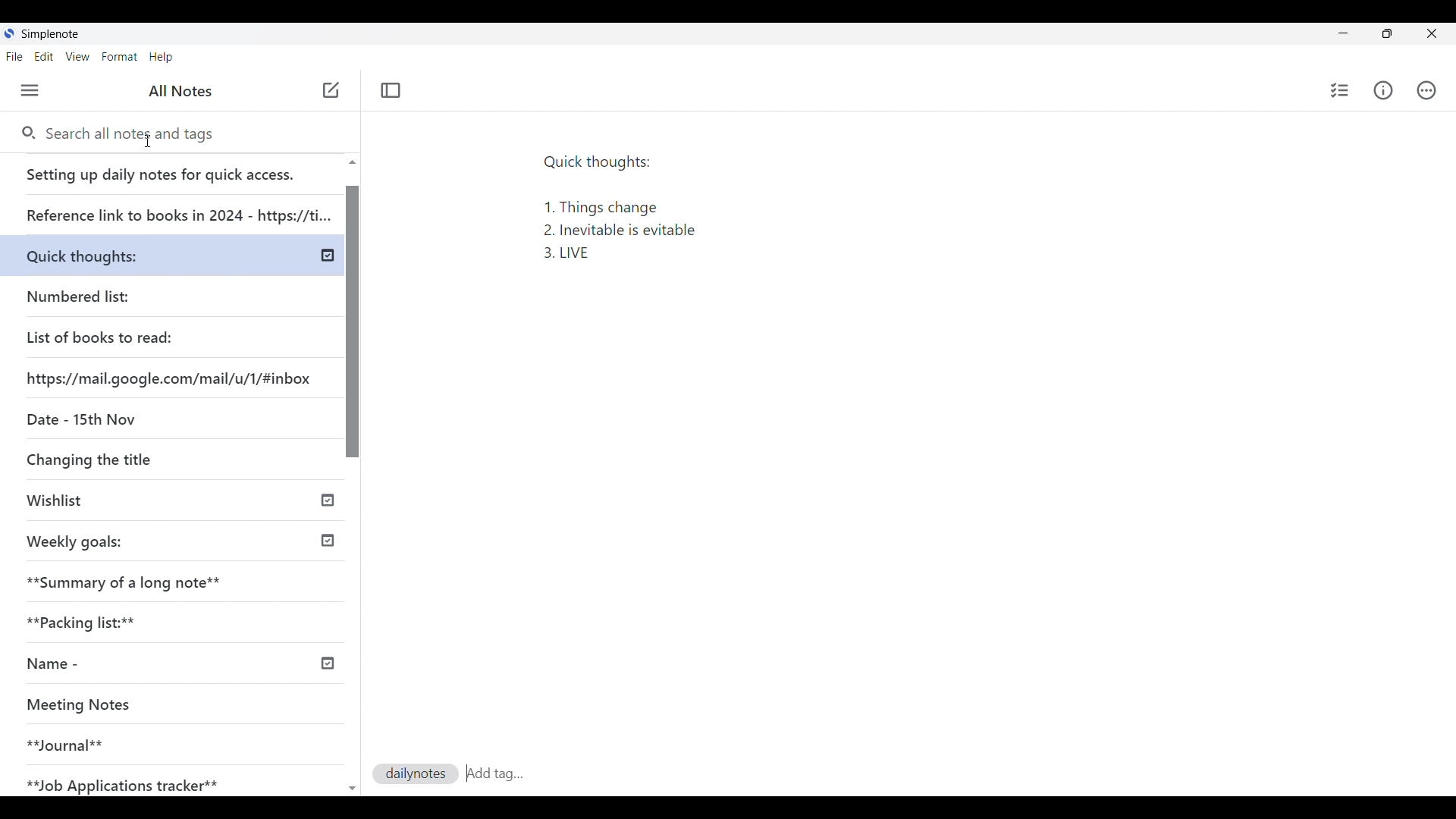 The height and width of the screenshot is (819, 1456). What do you see at coordinates (1387, 33) in the screenshot?
I see `toggle screen size` at bounding box center [1387, 33].